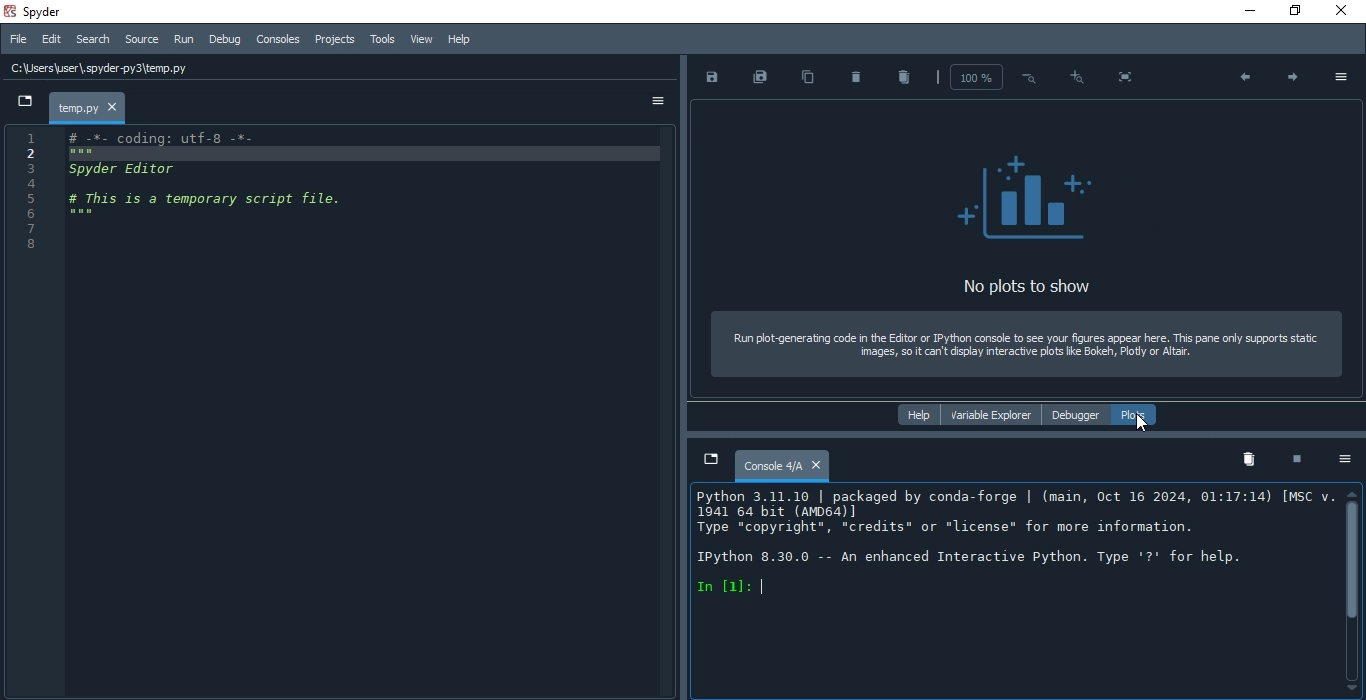 Image resolution: width=1366 pixels, height=700 pixels. Describe the element at coordinates (972, 77) in the screenshot. I see `100%` at that location.